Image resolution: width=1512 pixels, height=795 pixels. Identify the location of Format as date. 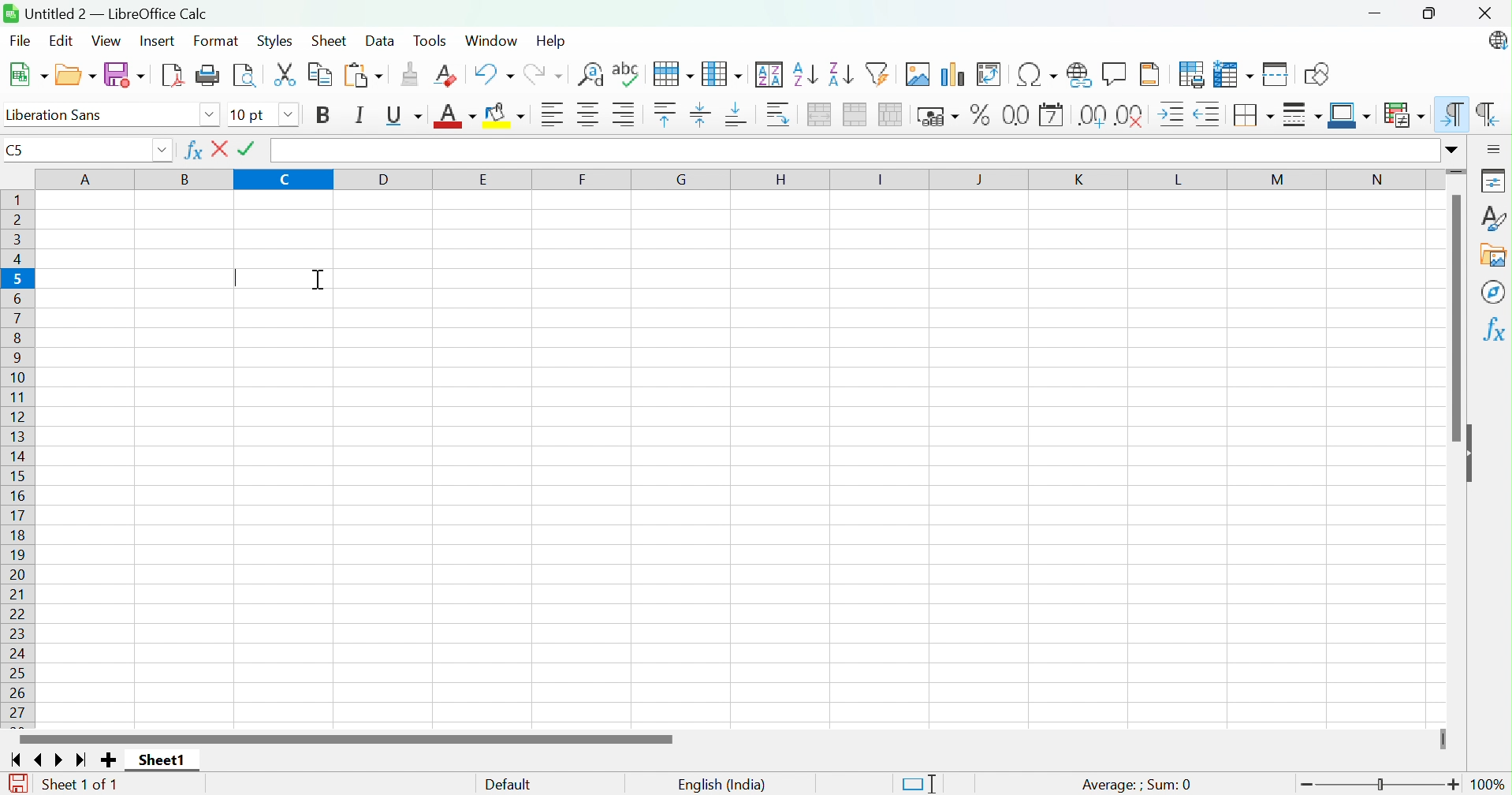
(1051, 116).